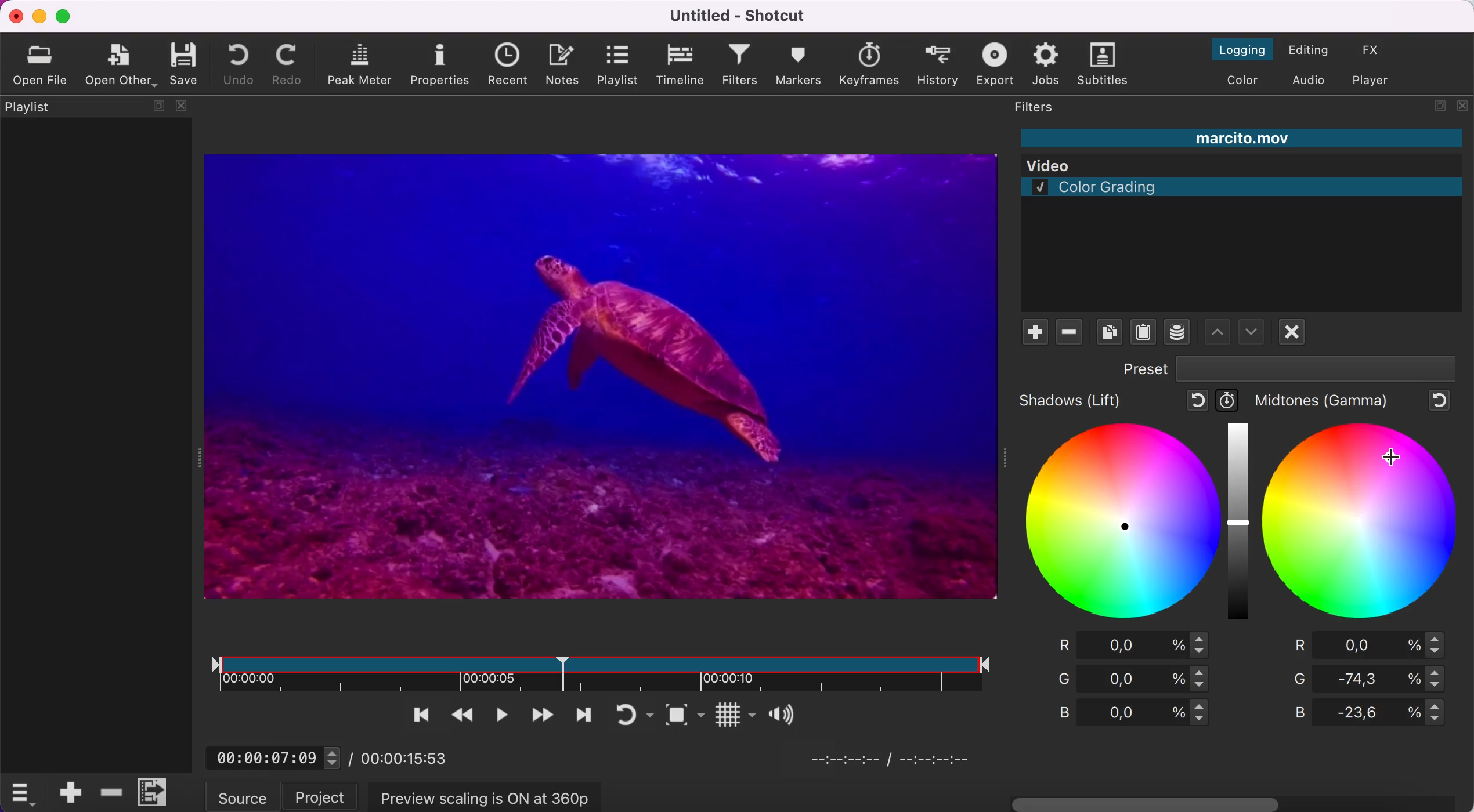 Image resolution: width=1474 pixels, height=812 pixels. I want to click on menu, so click(156, 791).